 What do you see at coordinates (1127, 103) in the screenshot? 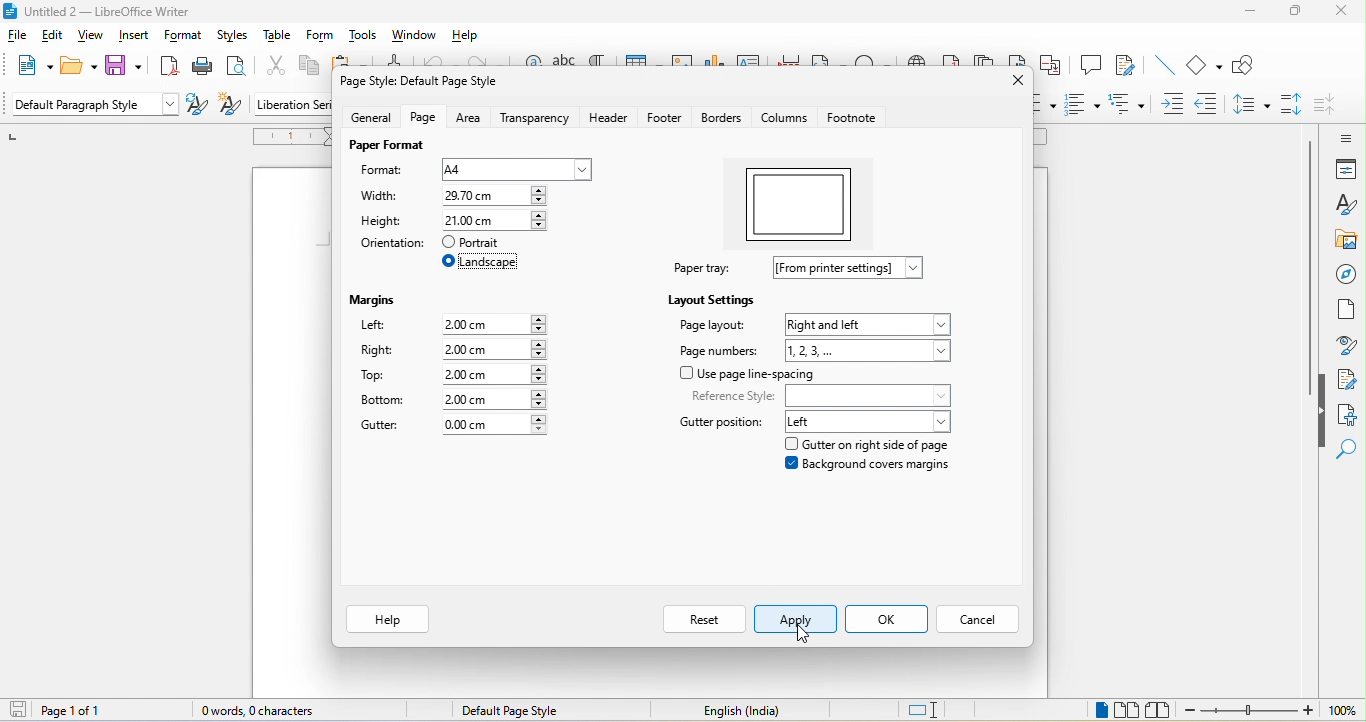
I see `outline format` at bounding box center [1127, 103].